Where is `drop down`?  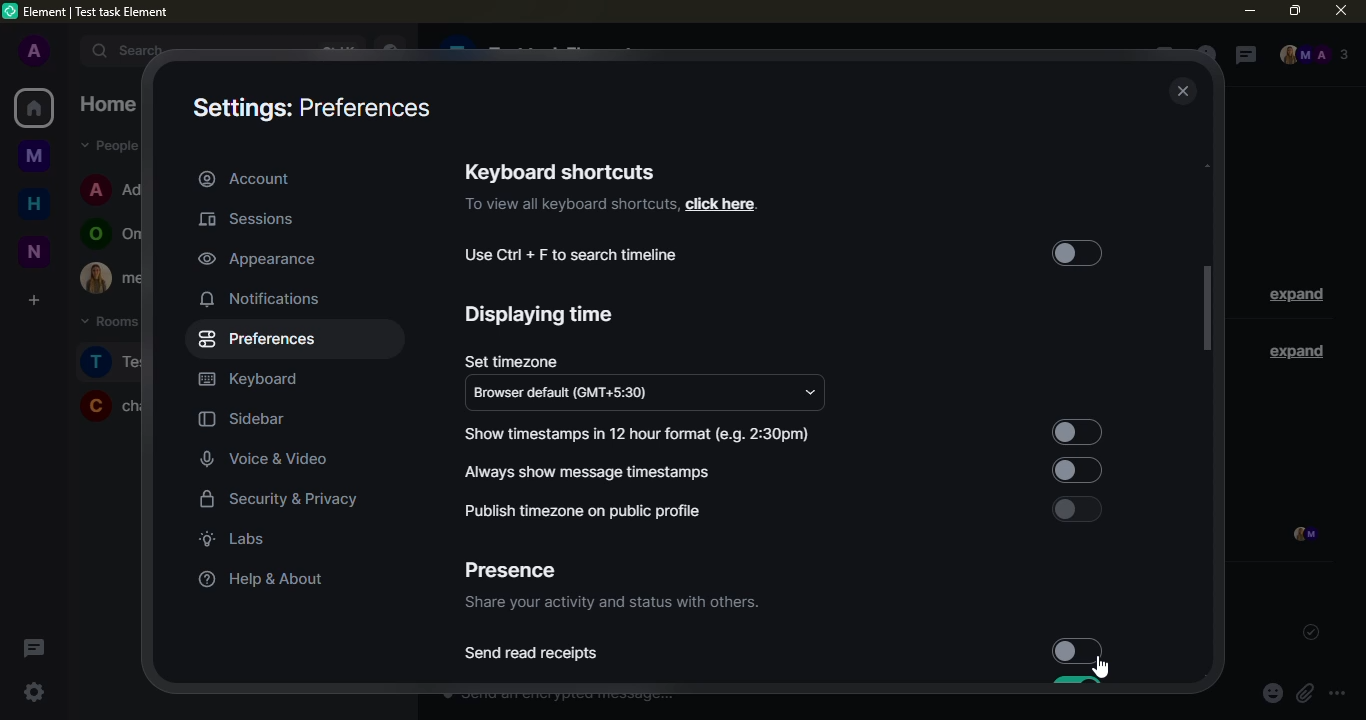 drop down is located at coordinates (810, 393).